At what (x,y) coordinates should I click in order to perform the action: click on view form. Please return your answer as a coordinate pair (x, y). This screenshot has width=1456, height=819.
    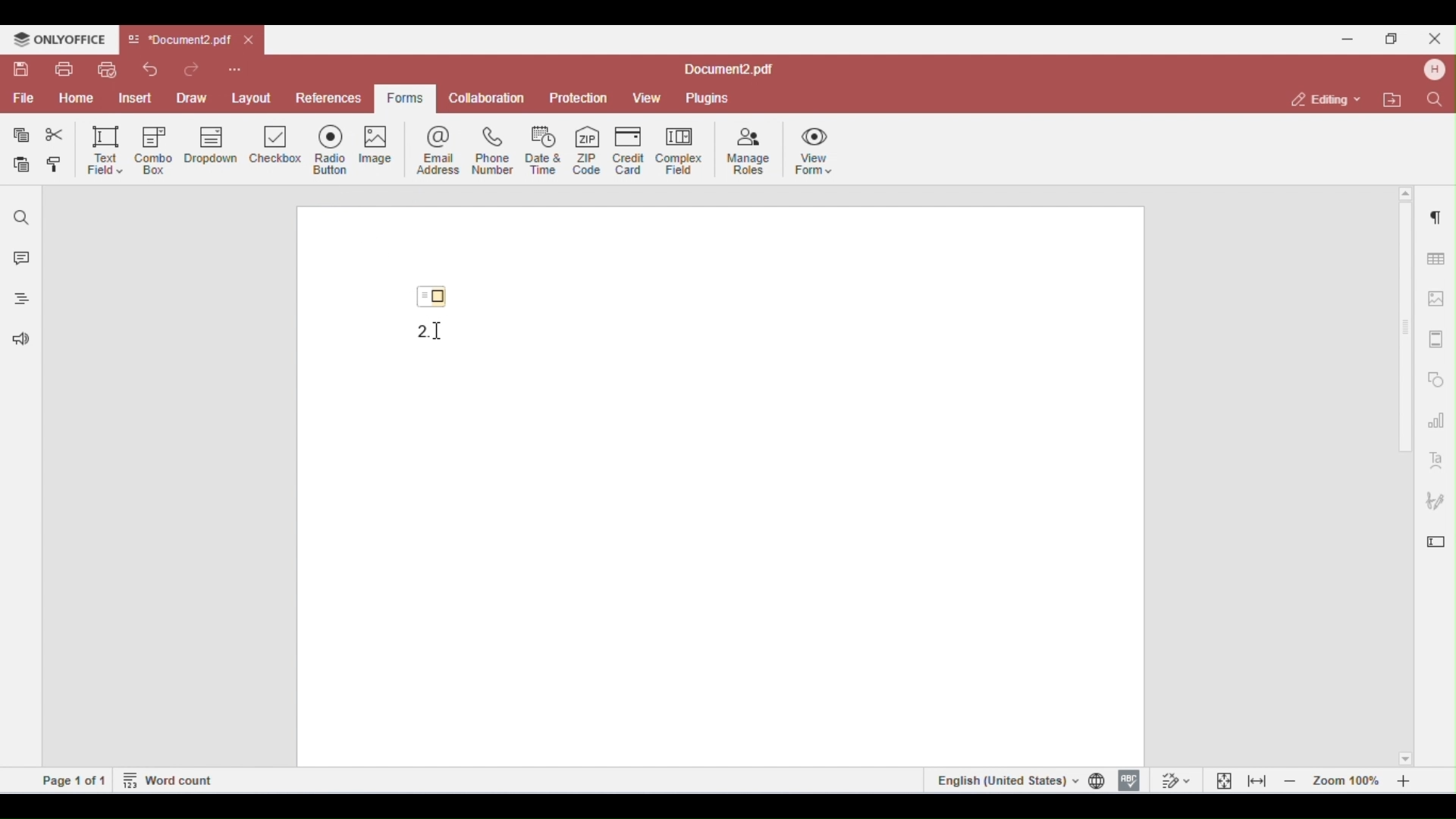
    Looking at the image, I should click on (817, 149).